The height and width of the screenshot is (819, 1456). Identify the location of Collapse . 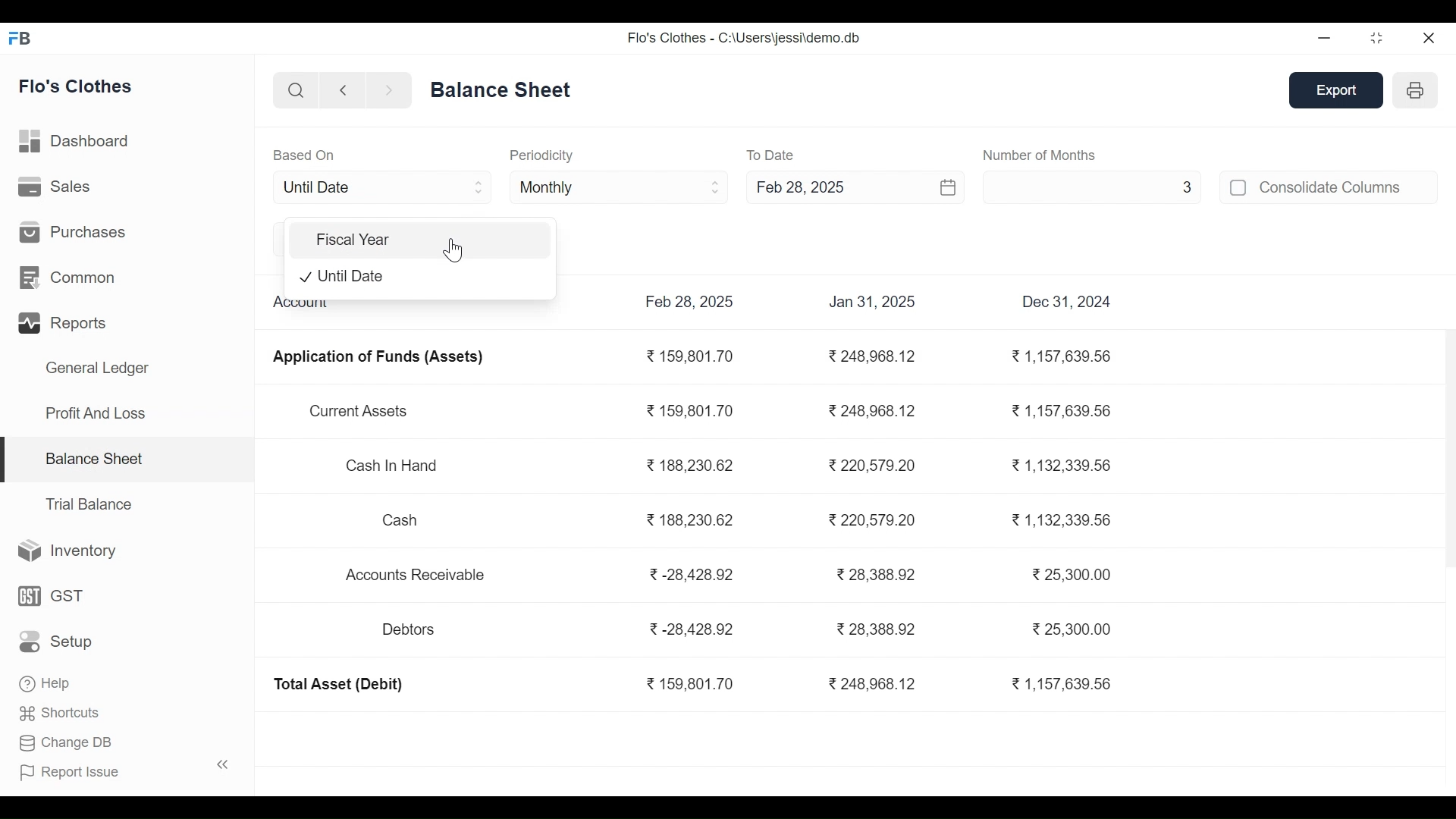
(223, 764).